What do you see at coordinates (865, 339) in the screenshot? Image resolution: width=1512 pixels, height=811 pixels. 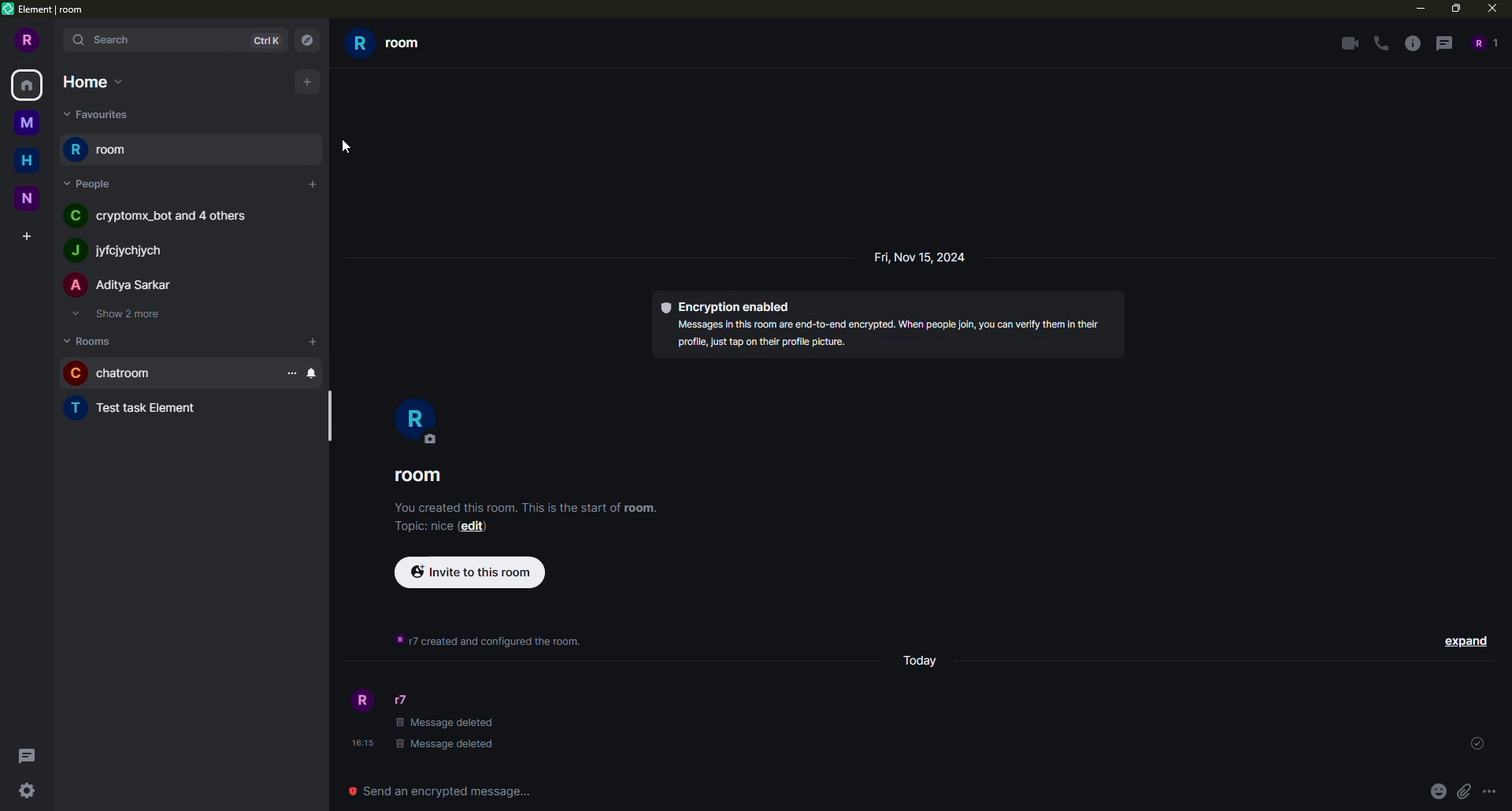 I see `EGU 1h HHS TION BND NCFA0~NNG SRCIpPRNG. SENSO JW, YOU DEN Vy Shin i Ser
profile, just tap on their profil picture.` at bounding box center [865, 339].